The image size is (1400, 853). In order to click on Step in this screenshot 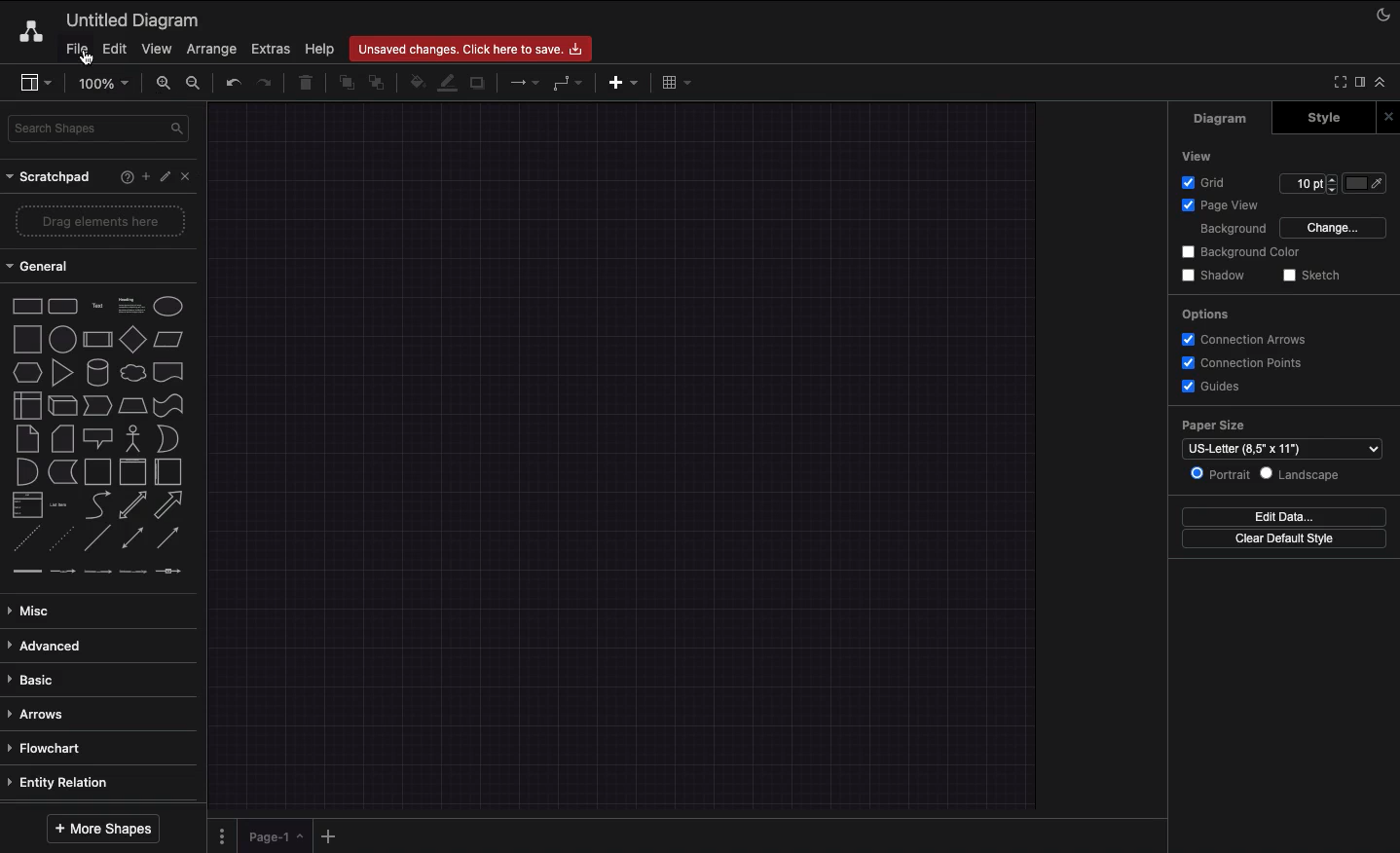, I will do `click(97, 406)`.